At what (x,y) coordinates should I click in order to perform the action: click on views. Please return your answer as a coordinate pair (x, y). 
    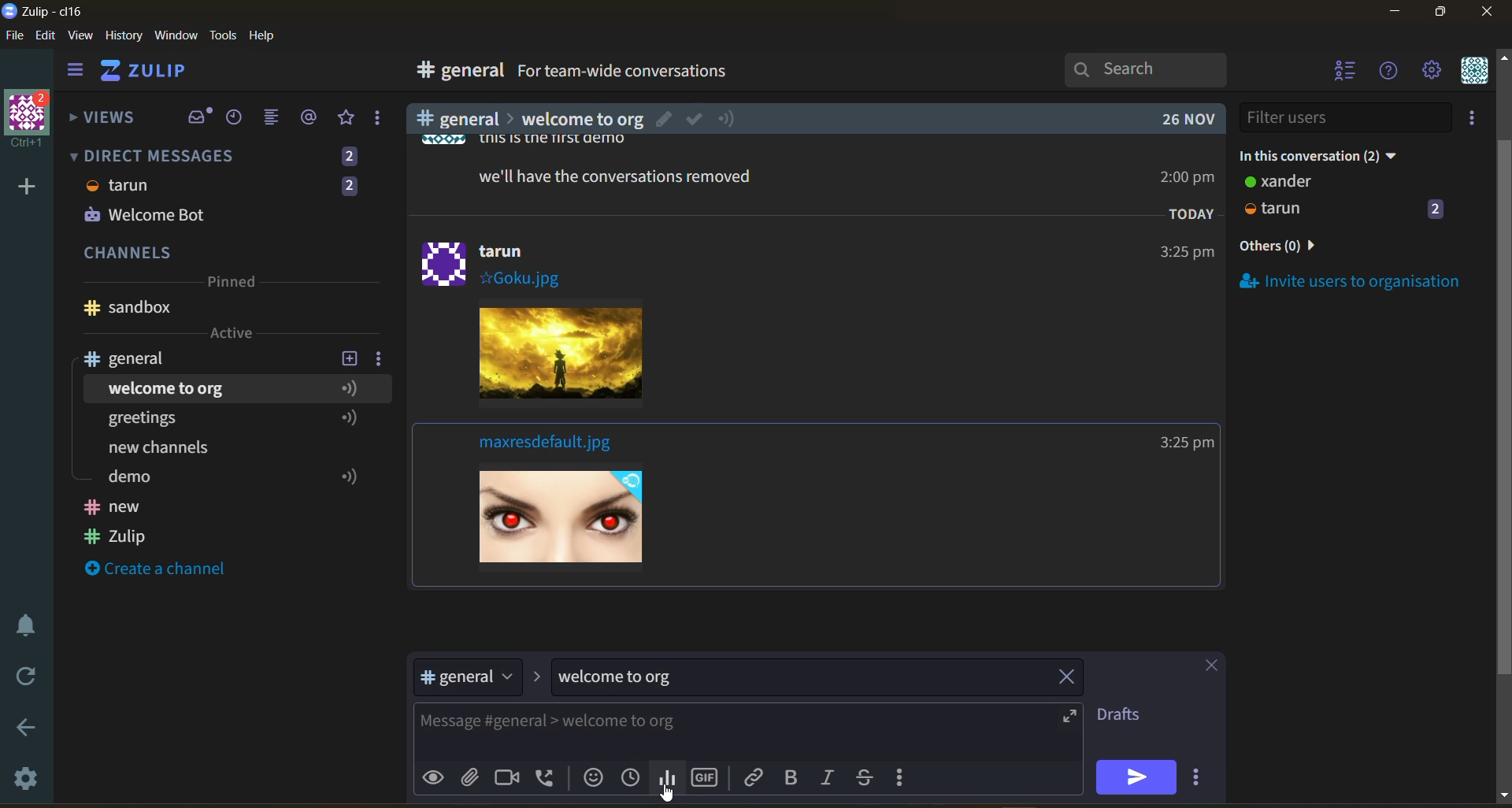
    Looking at the image, I should click on (103, 122).